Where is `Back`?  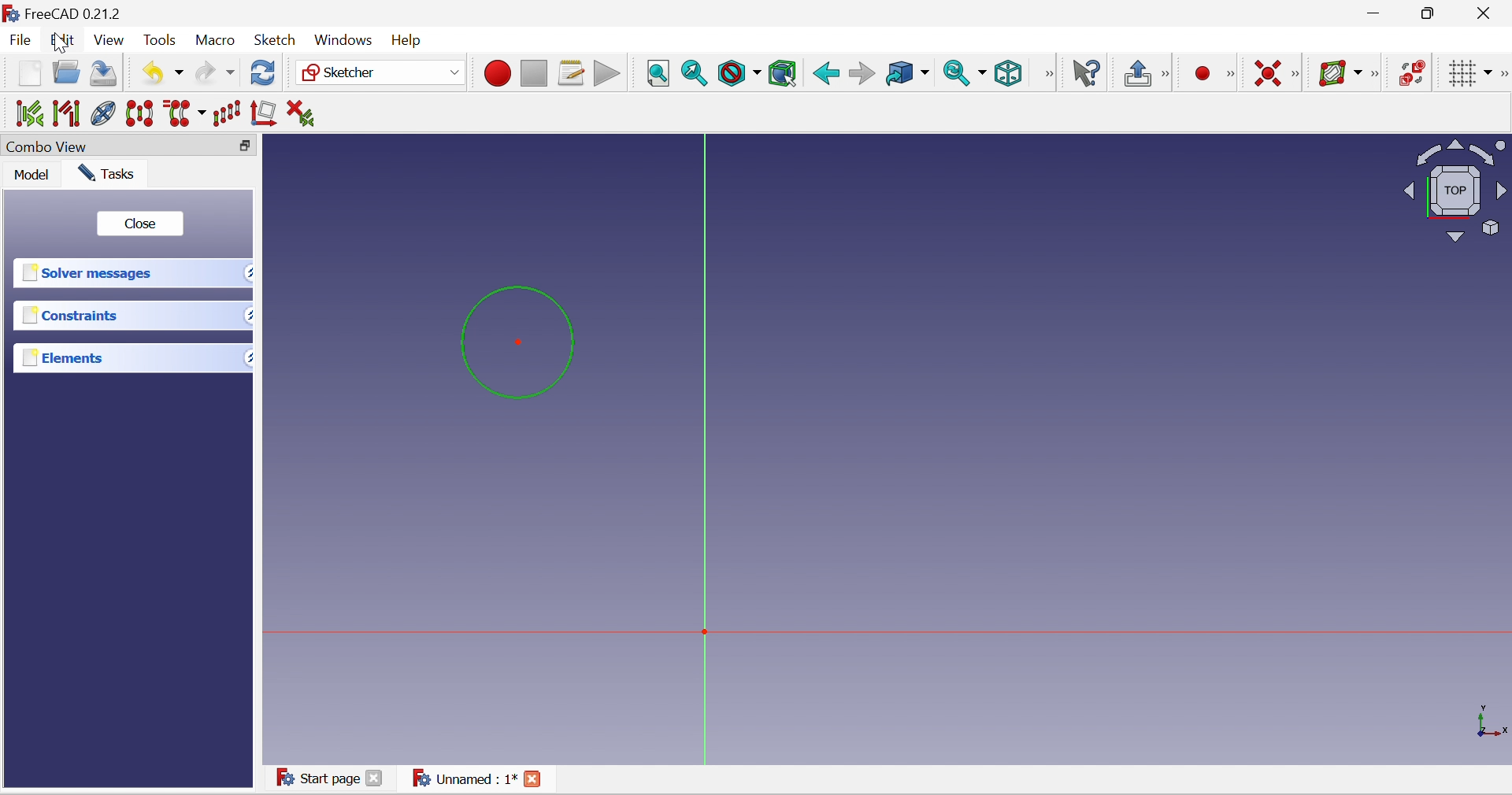 Back is located at coordinates (825, 74).